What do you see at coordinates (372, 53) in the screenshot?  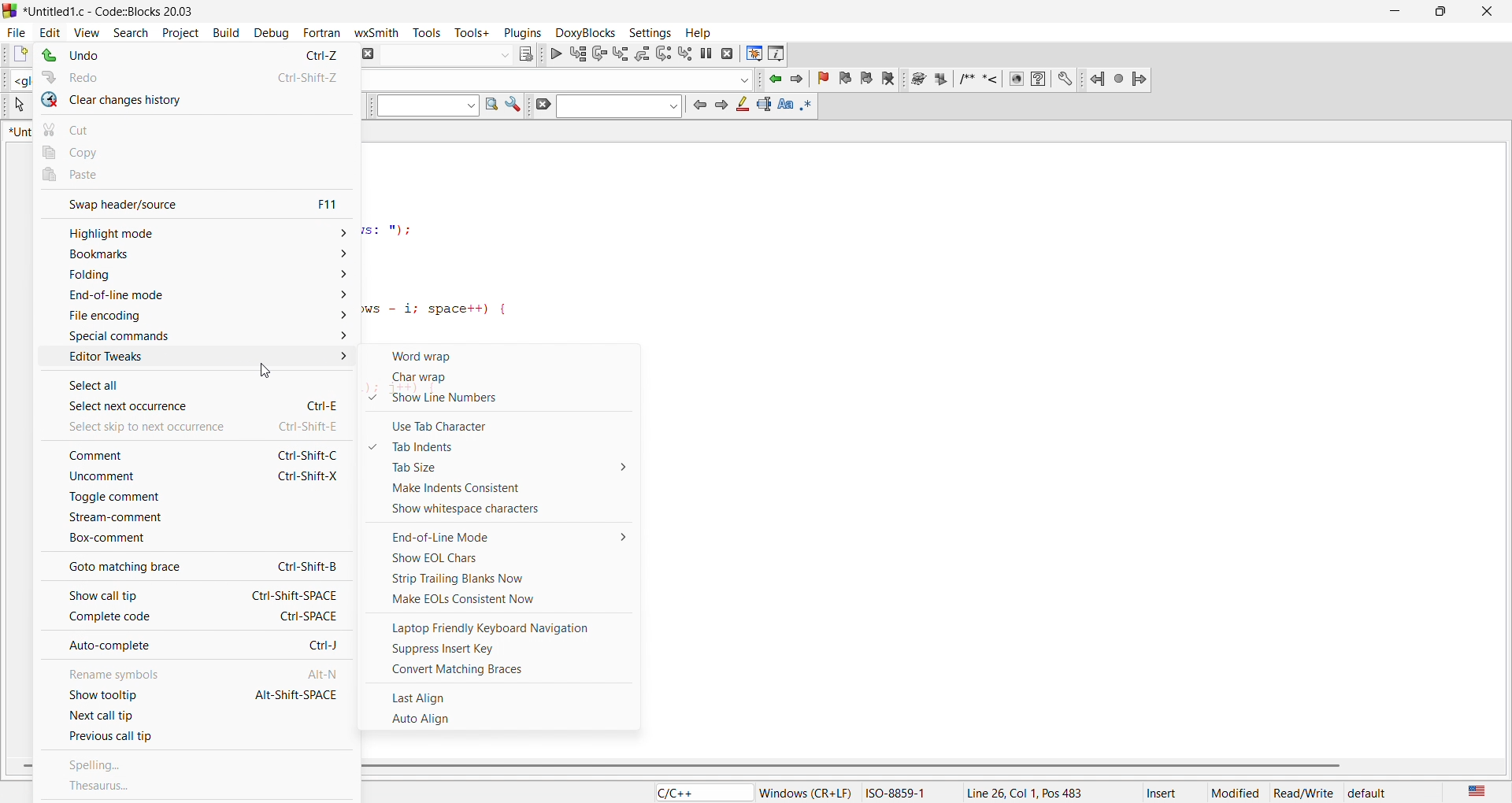 I see `abort` at bounding box center [372, 53].